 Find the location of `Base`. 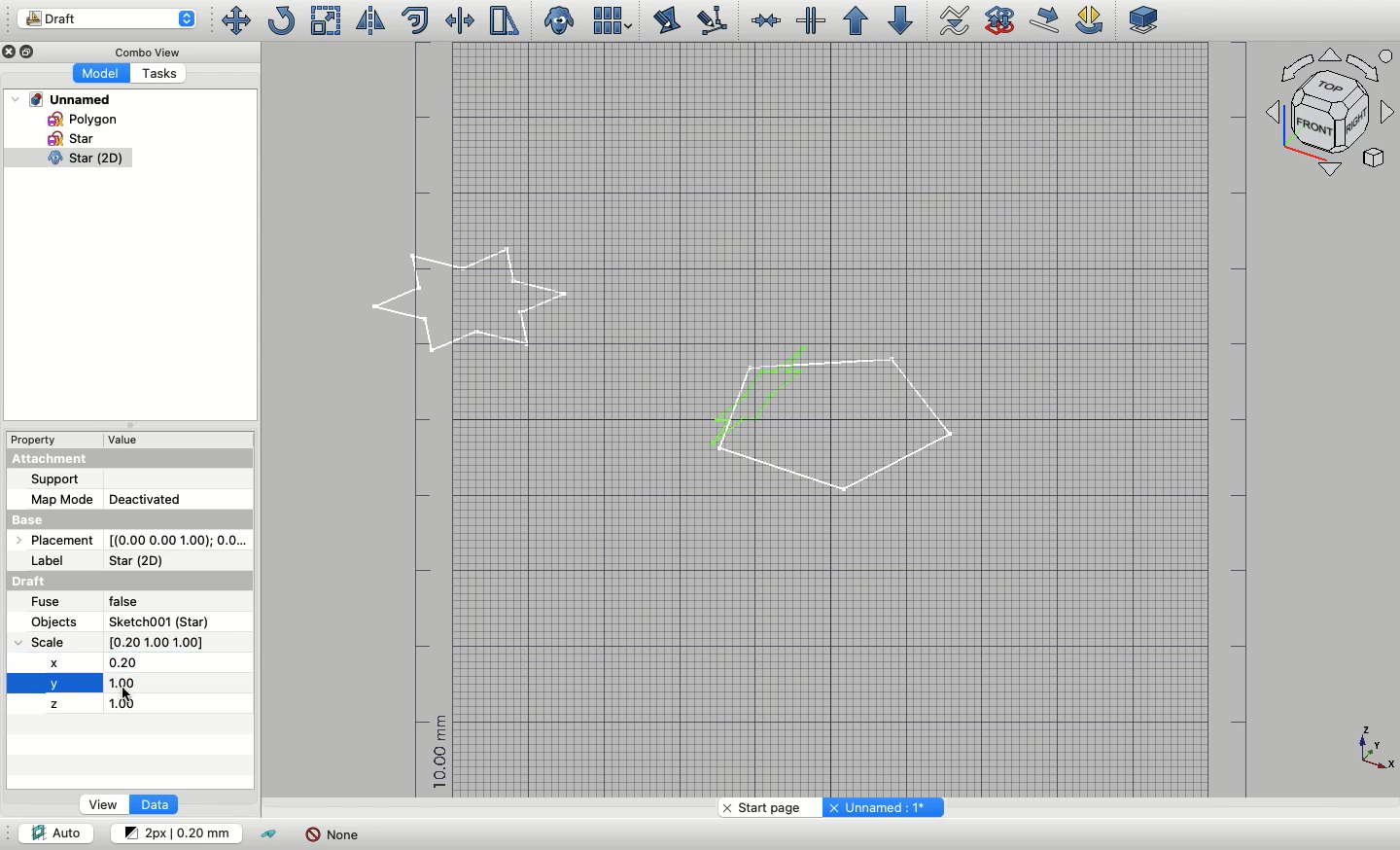

Base is located at coordinates (129, 519).